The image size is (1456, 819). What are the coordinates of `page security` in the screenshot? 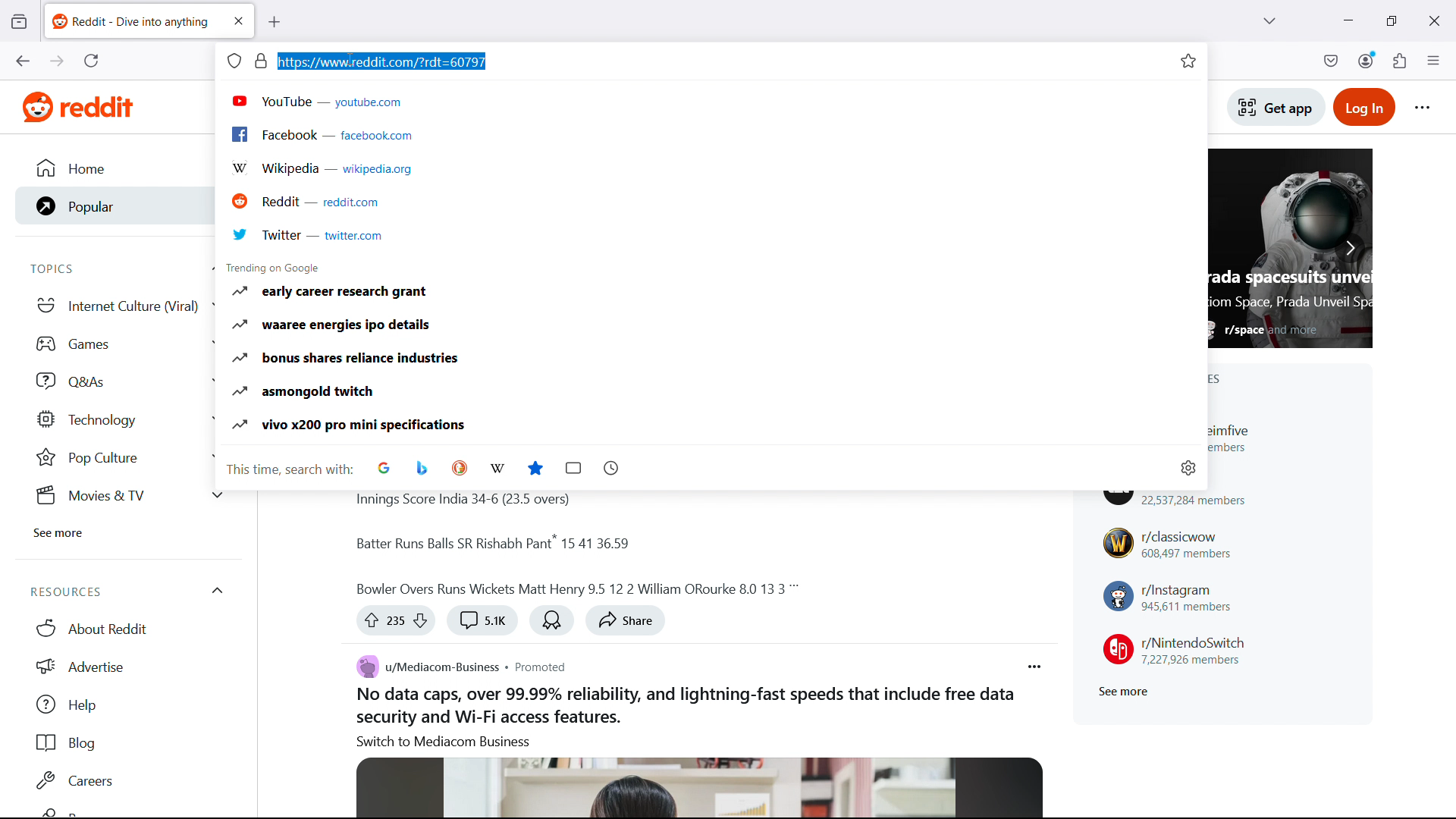 It's located at (262, 60).